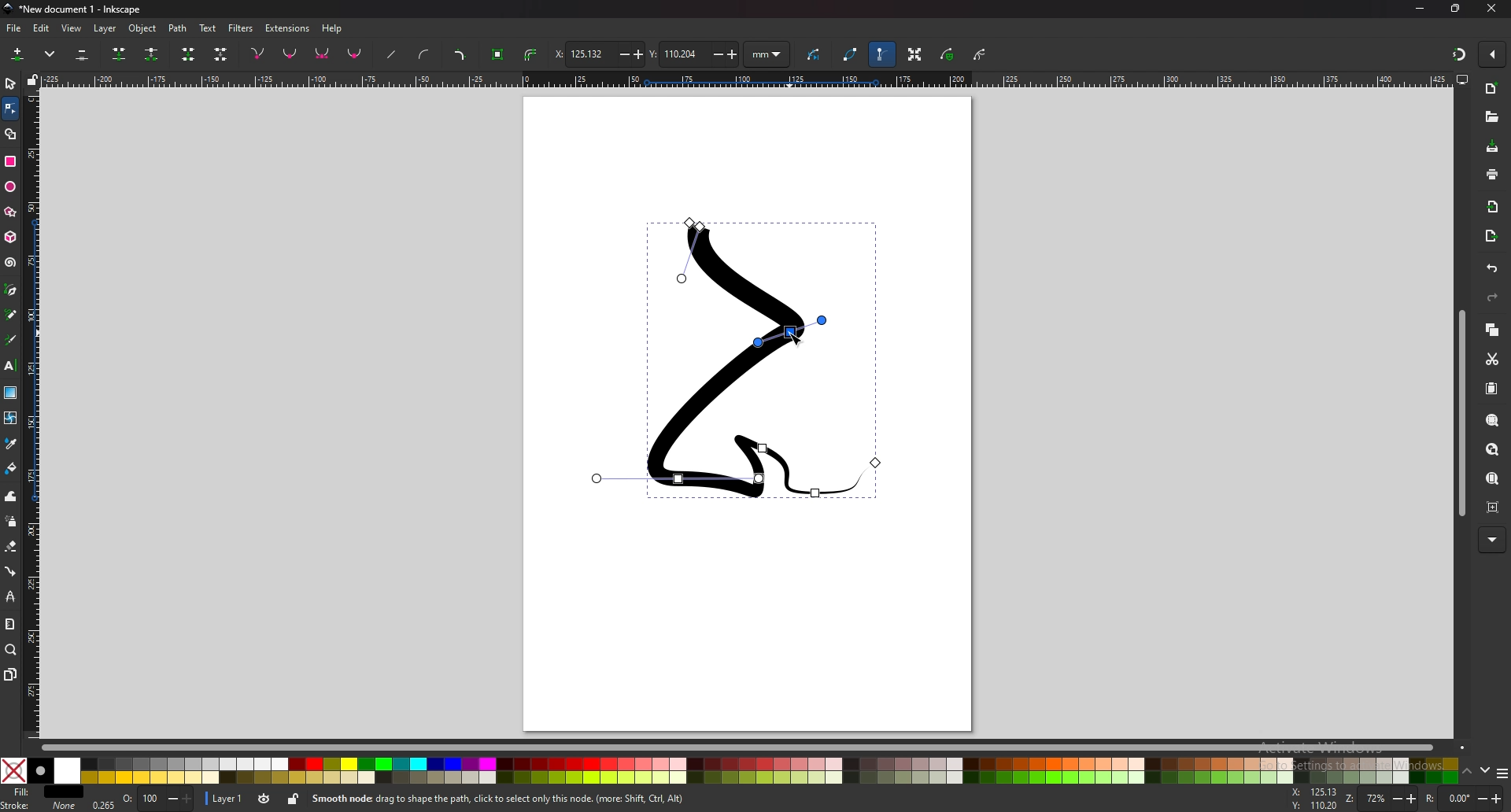  What do you see at coordinates (41, 28) in the screenshot?
I see `edit` at bounding box center [41, 28].